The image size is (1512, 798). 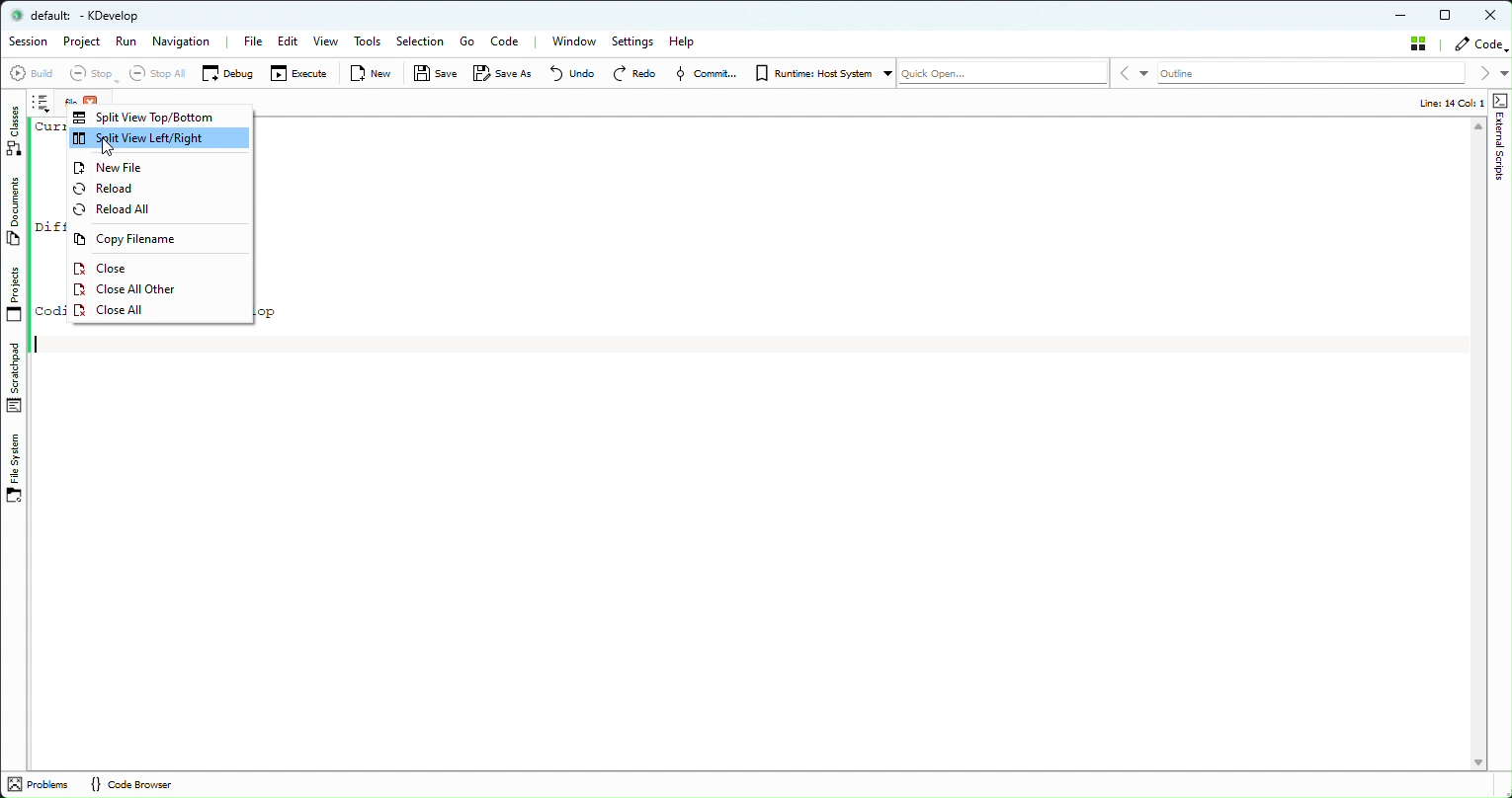 What do you see at coordinates (1419, 102) in the screenshot?
I see `Info` at bounding box center [1419, 102].